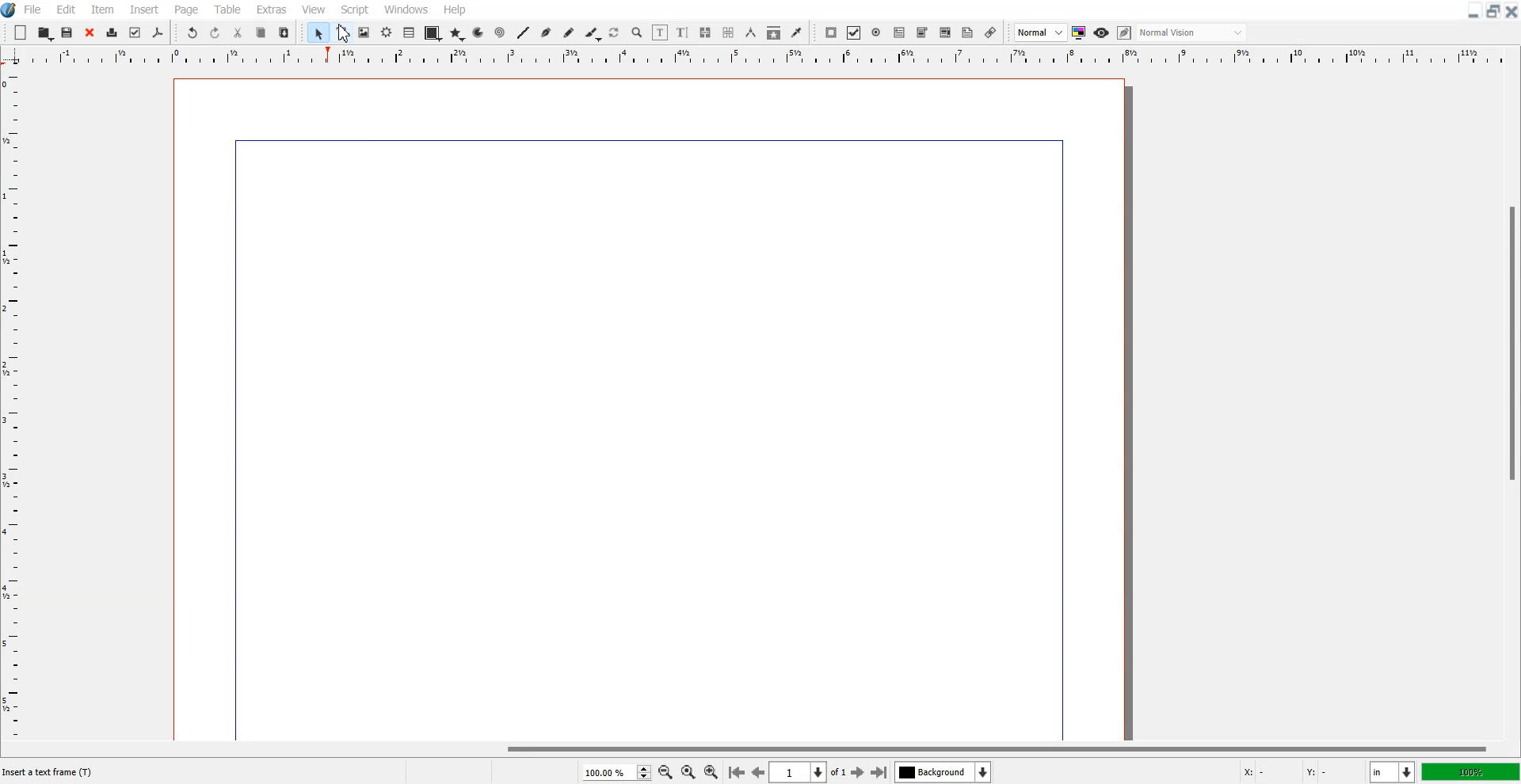  I want to click on Horizontal scroll bar, so click(760, 748).